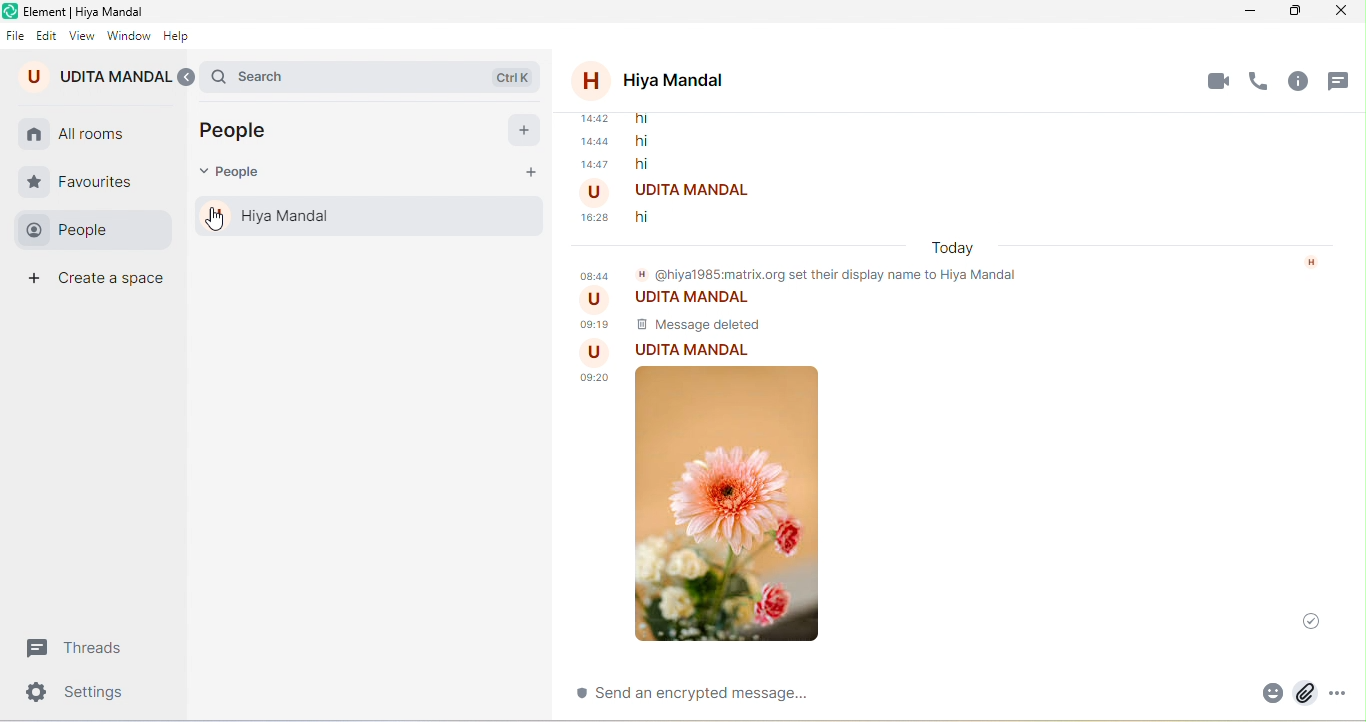  What do you see at coordinates (1314, 622) in the screenshot?
I see `message was sent` at bounding box center [1314, 622].